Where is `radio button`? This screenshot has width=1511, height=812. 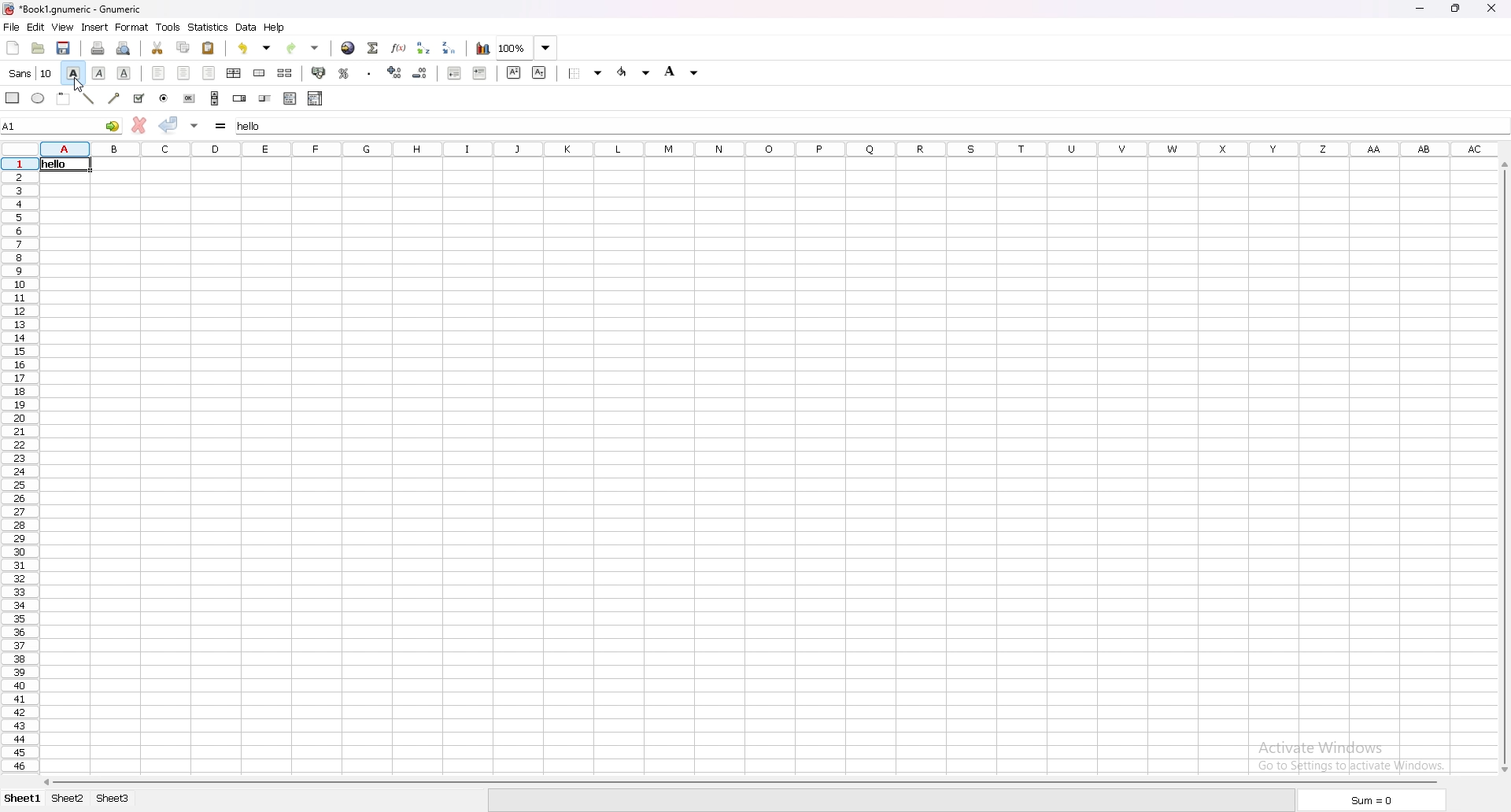
radio button is located at coordinates (164, 97).